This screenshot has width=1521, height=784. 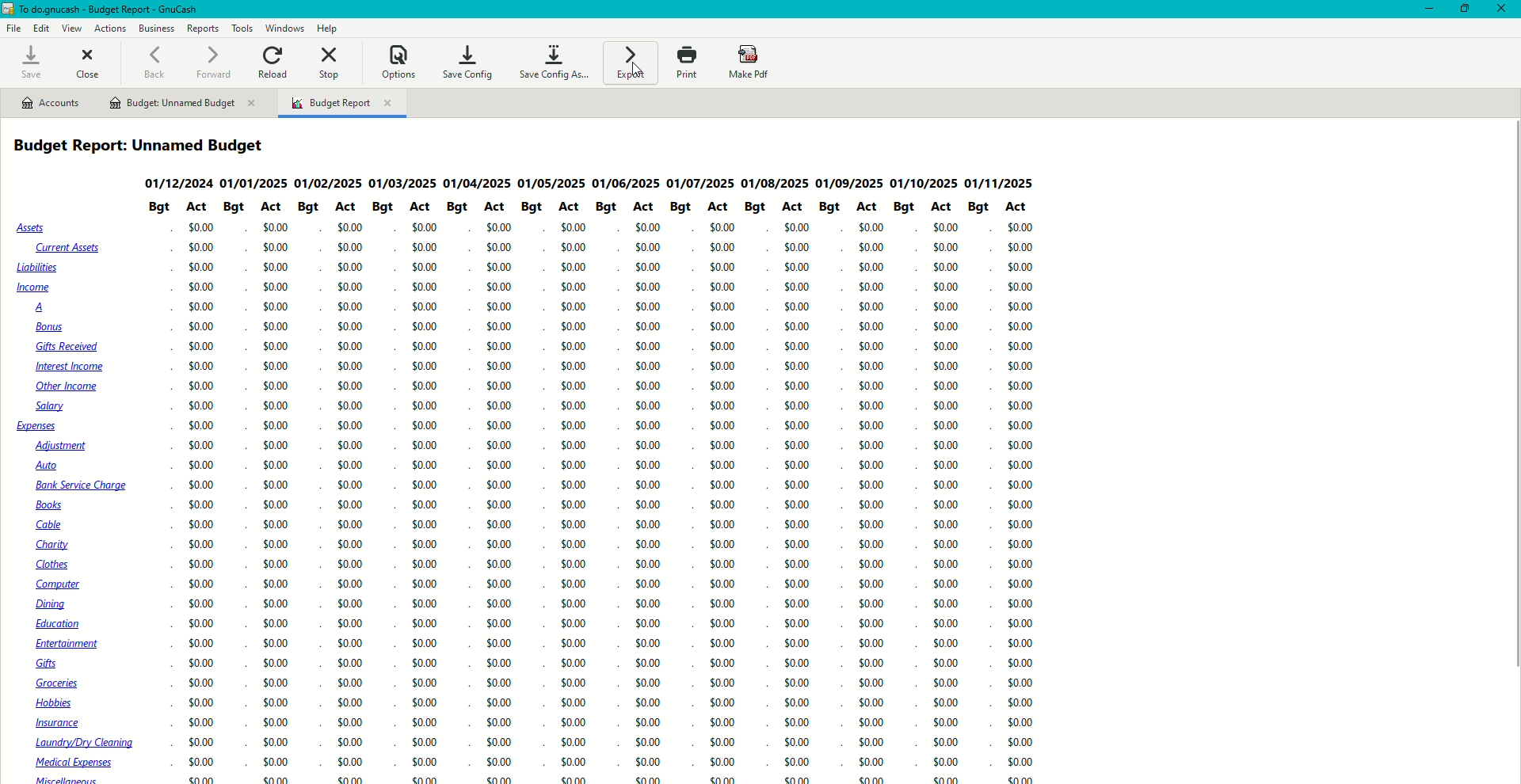 I want to click on $0.00, so click(x=501, y=406).